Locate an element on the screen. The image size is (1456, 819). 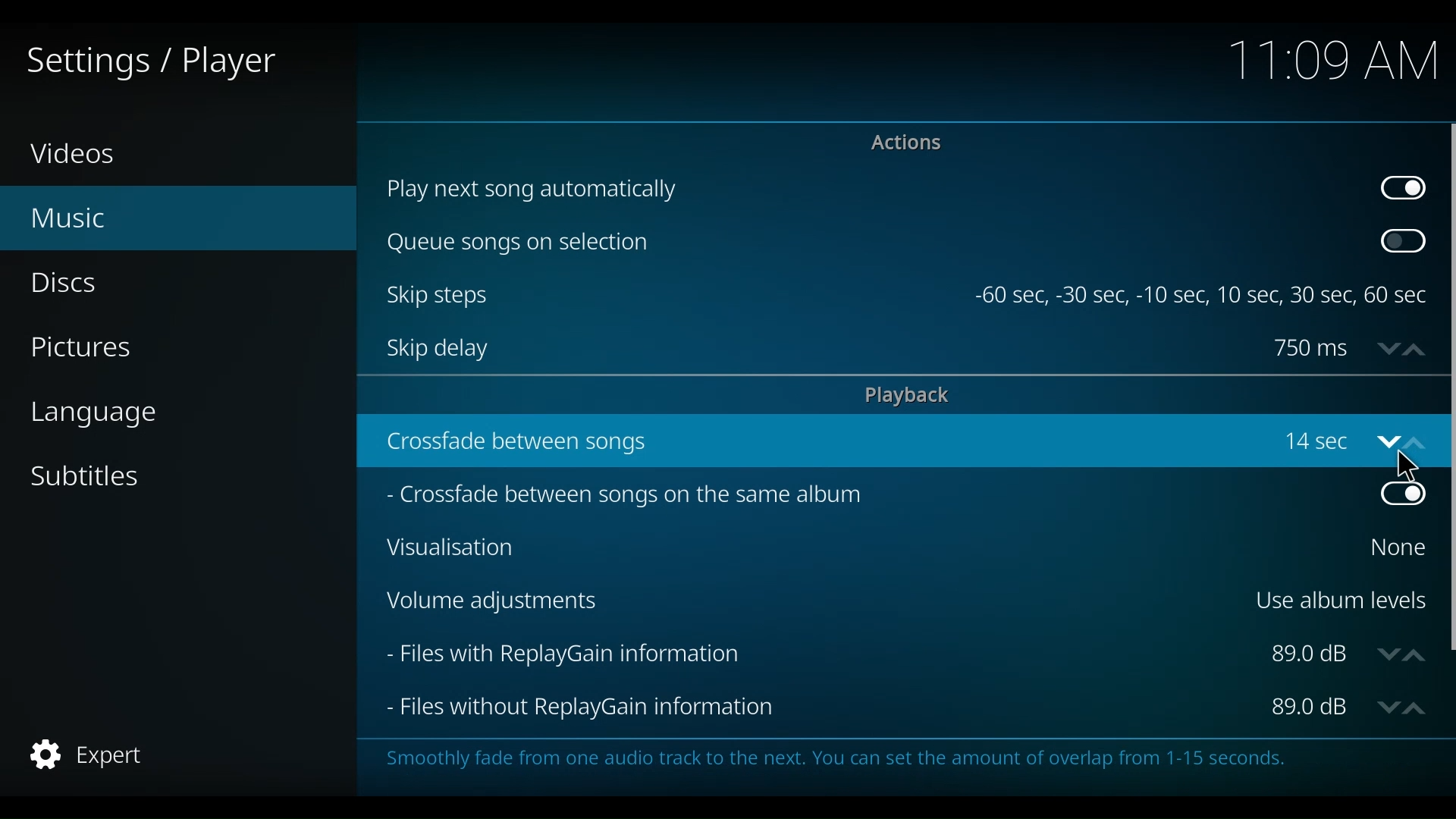
up is located at coordinates (1417, 347).